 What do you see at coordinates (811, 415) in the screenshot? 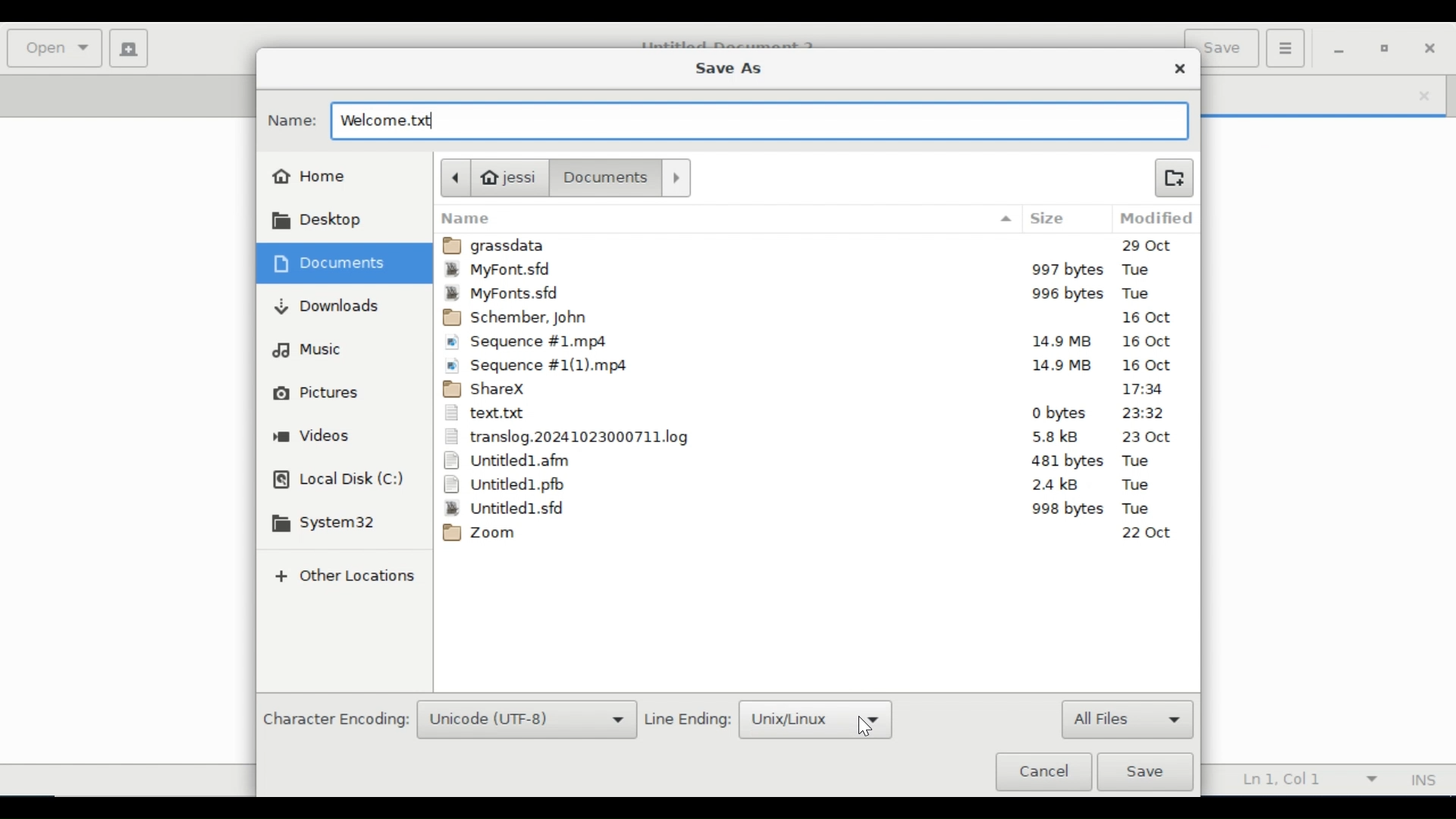
I see `text.txt 0 bytes 23:32` at bounding box center [811, 415].